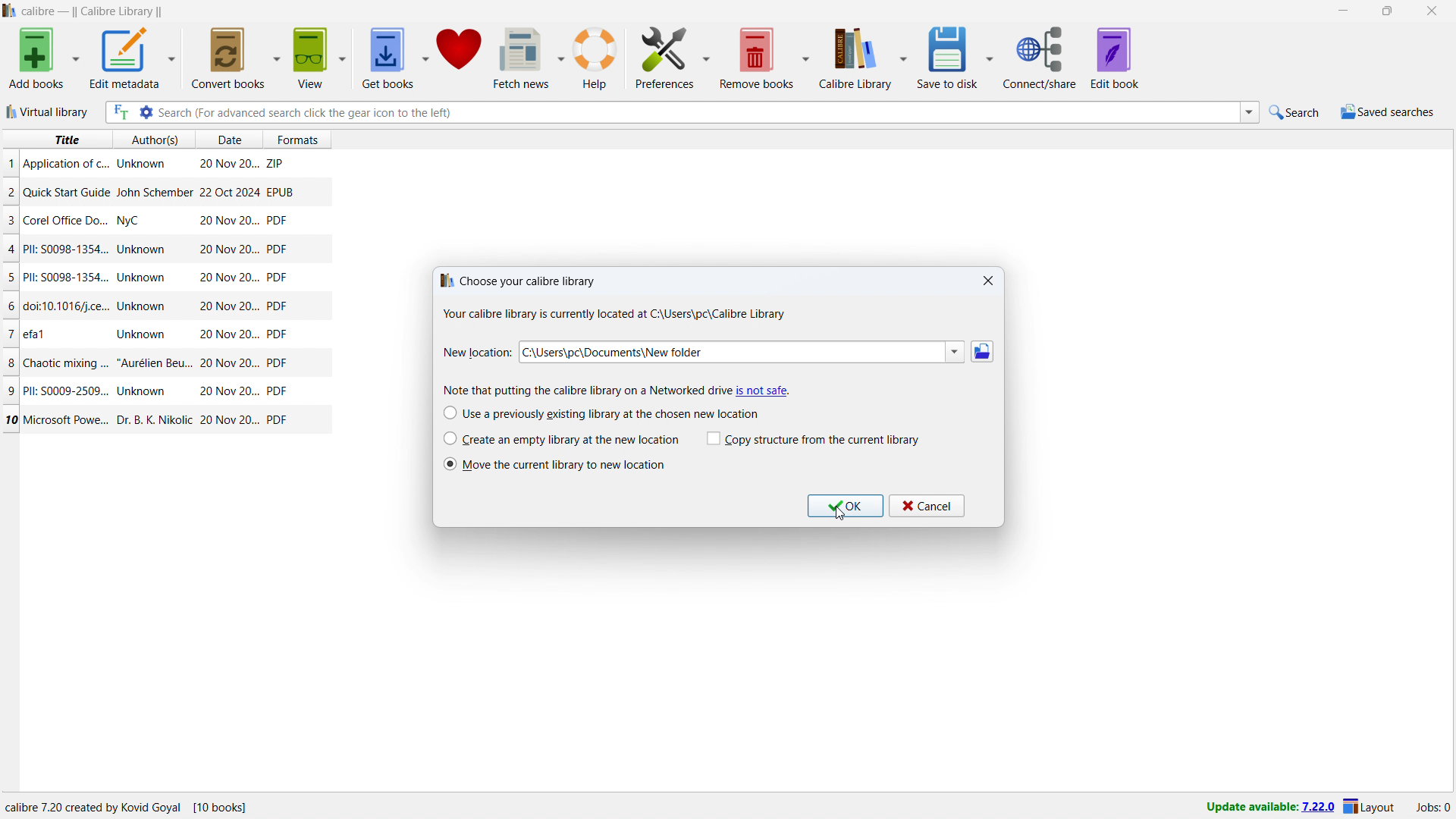  Describe the element at coordinates (277, 278) in the screenshot. I see `PDF` at that location.